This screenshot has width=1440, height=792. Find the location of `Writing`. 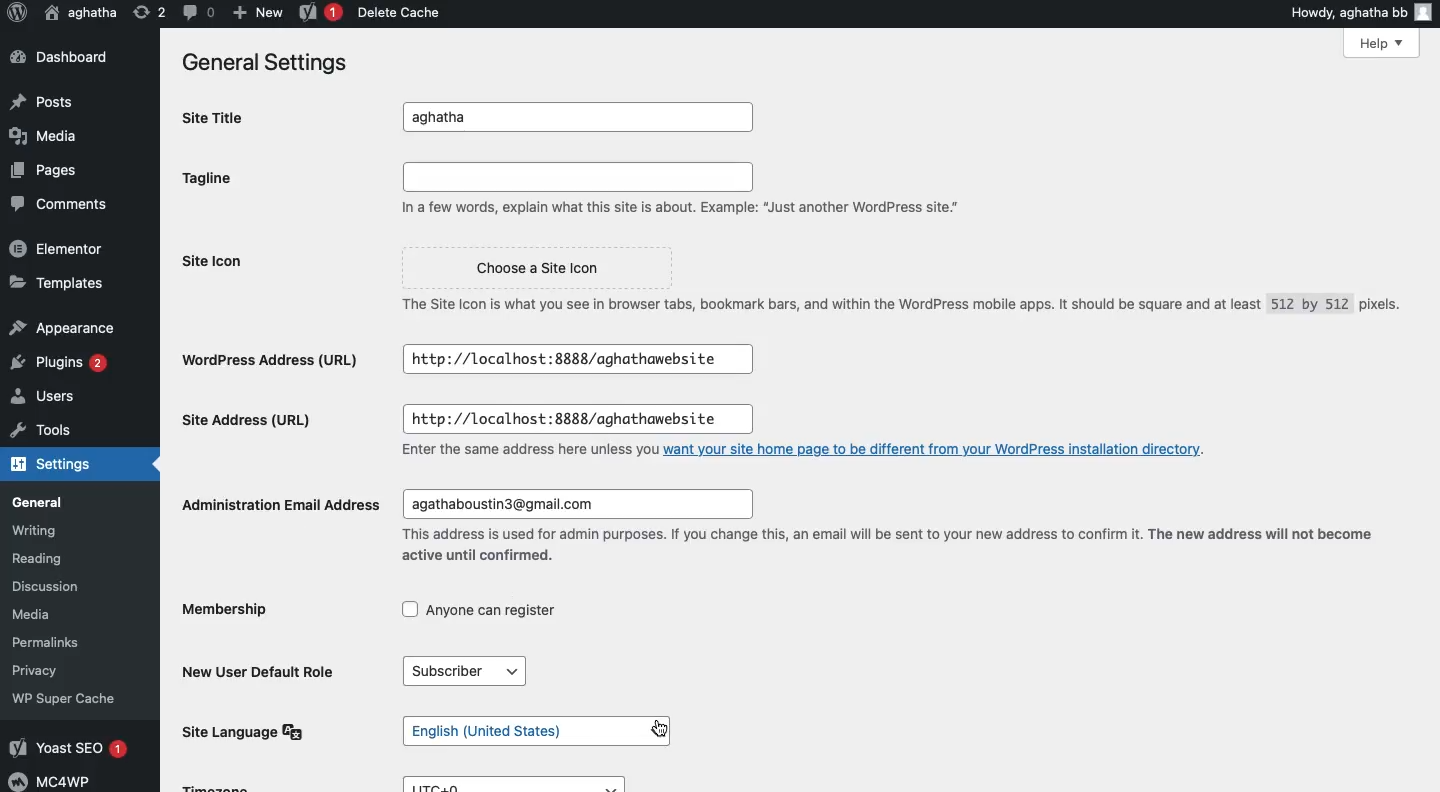

Writing is located at coordinates (45, 530).